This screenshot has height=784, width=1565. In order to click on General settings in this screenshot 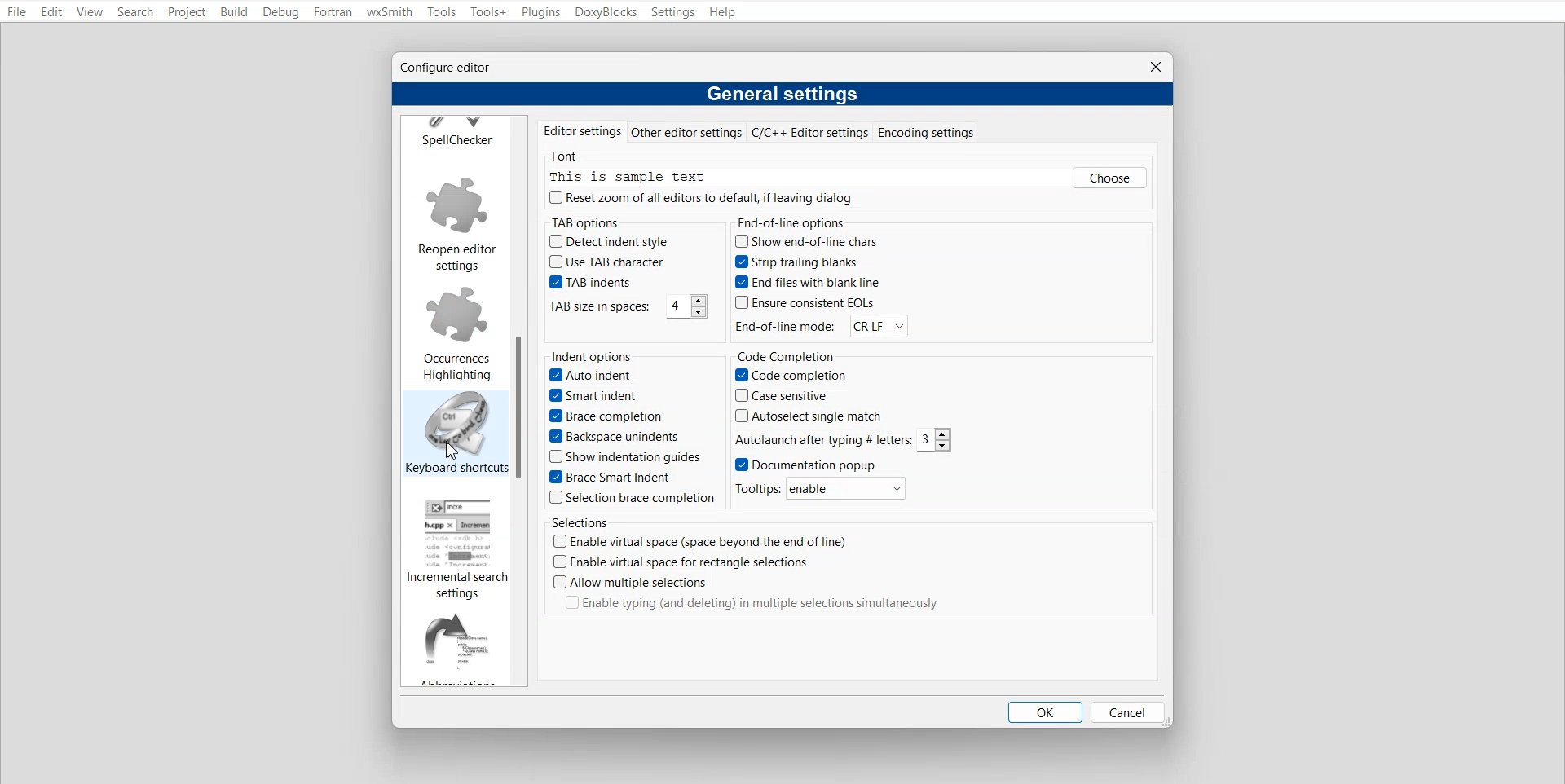, I will do `click(786, 94)`.